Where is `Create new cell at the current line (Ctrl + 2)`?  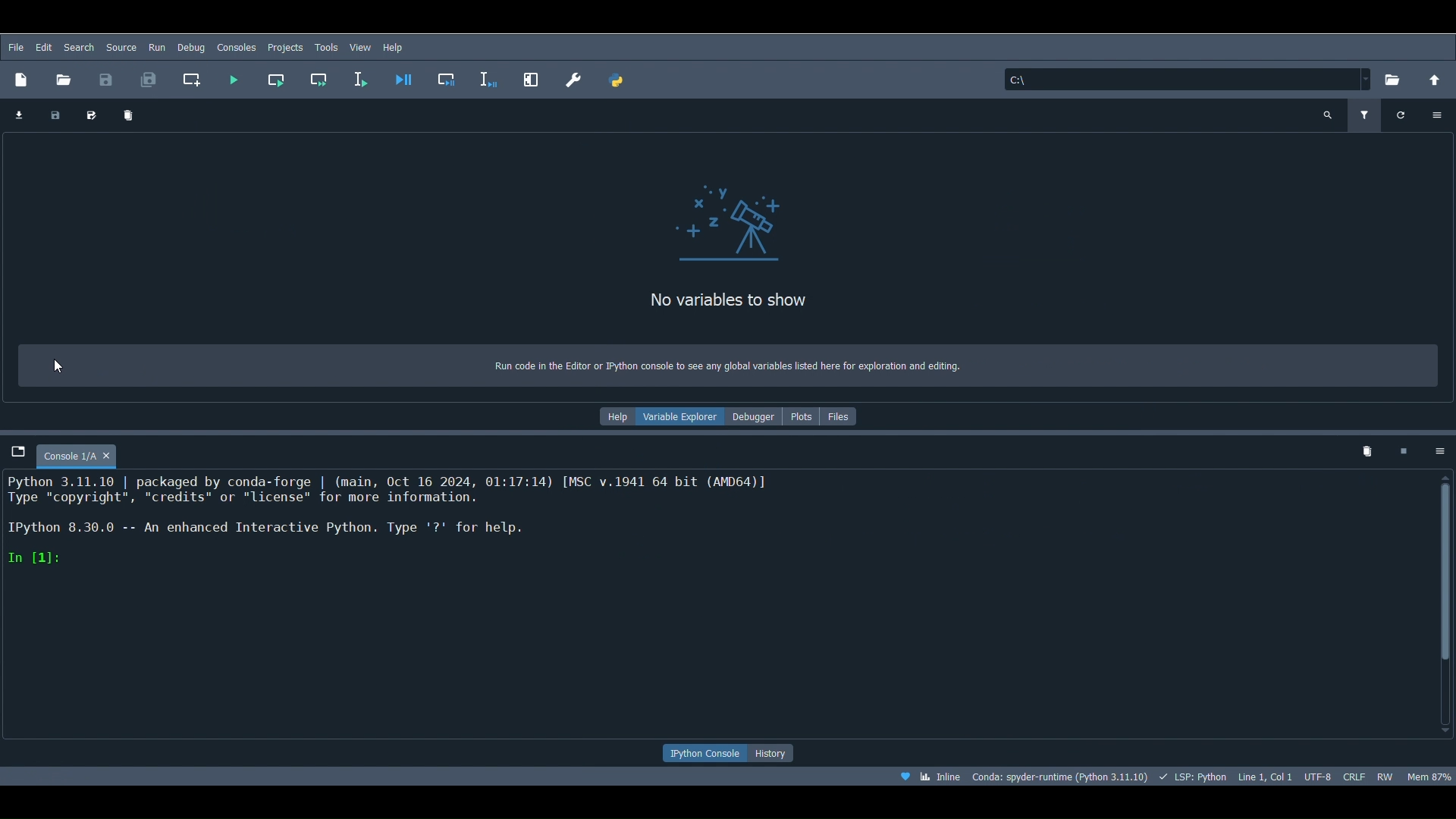 Create new cell at the current line (Ctrl + 2) is located at coordinates (192, 79).